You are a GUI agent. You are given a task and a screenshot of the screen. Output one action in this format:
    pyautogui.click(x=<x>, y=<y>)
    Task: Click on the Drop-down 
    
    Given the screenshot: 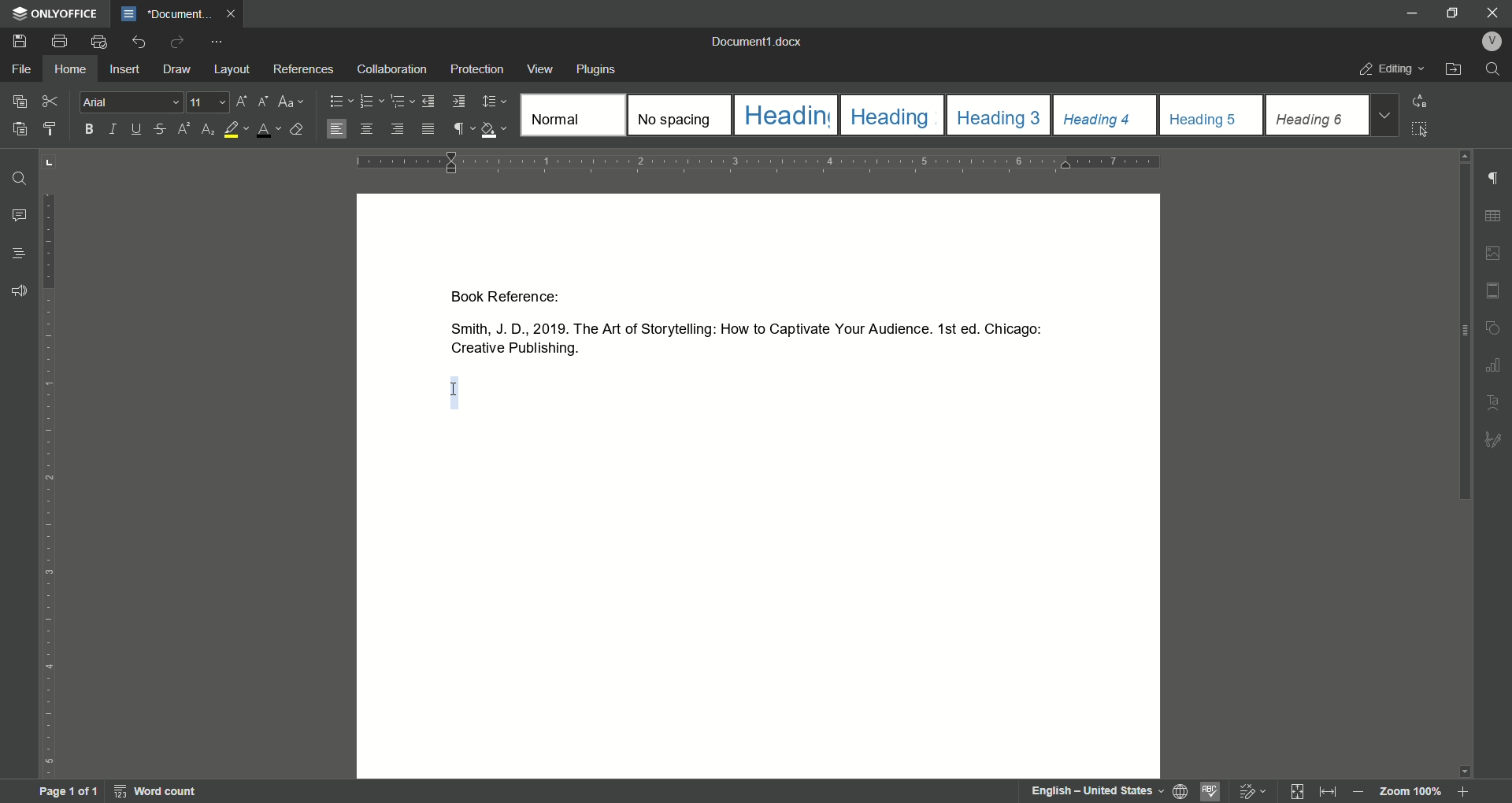 What is the action you would take?
    pyautogui.click(x=1384, y=116)
    